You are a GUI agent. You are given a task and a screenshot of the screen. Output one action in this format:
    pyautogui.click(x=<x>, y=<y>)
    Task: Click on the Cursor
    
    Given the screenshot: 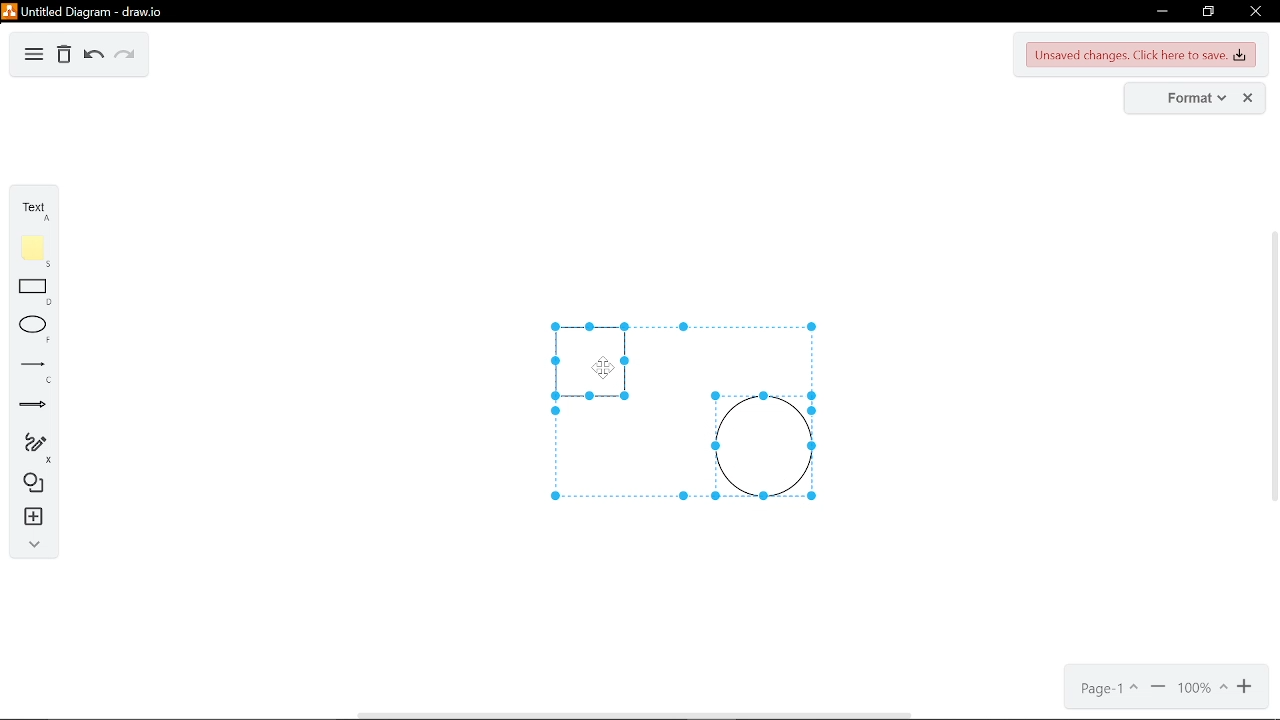 What is the action you would take?
    pyautogui.click(x=602, y=368)
    